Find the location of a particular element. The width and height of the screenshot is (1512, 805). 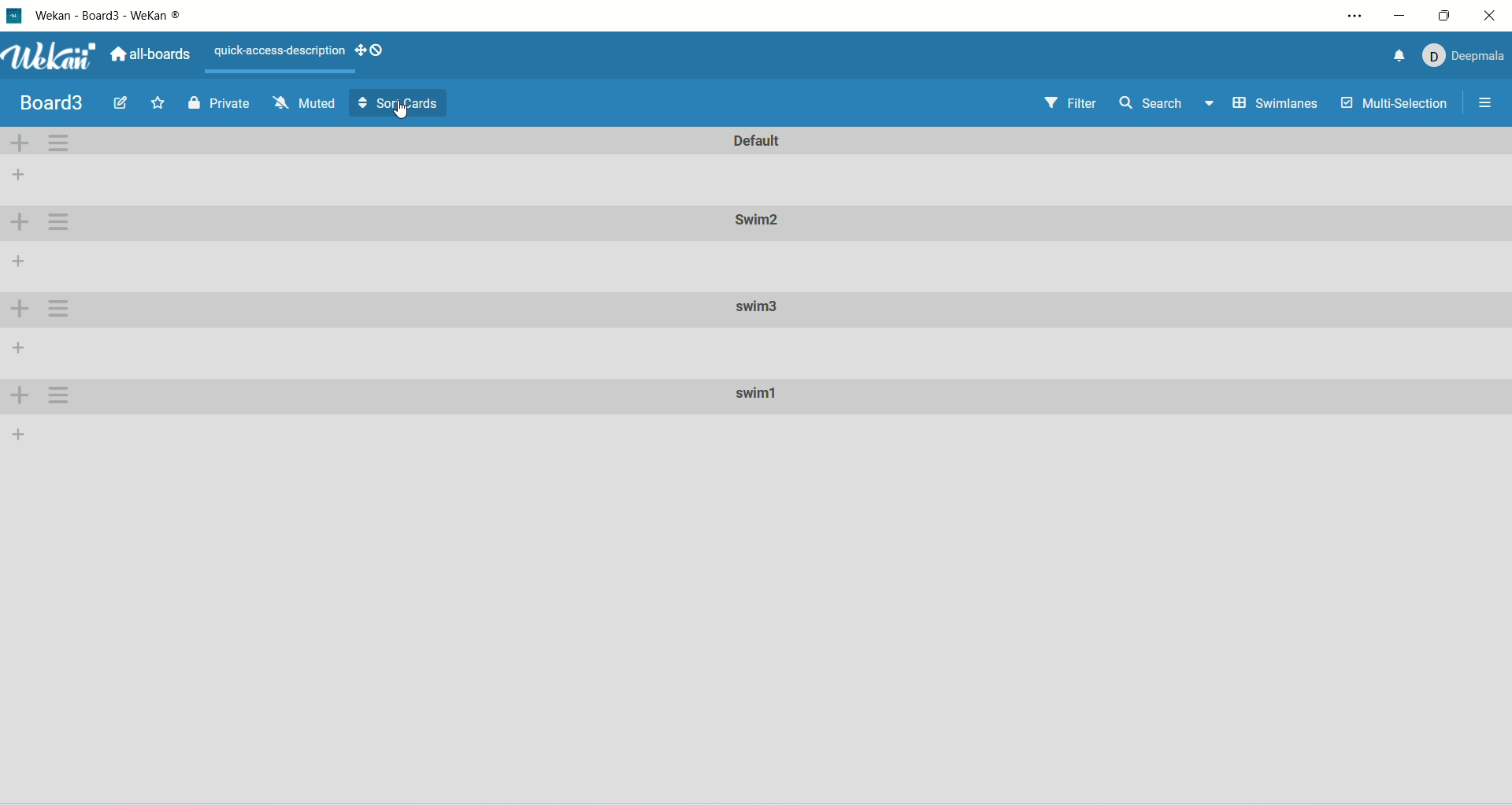

add swinlane is located at coordinates (16, 310).